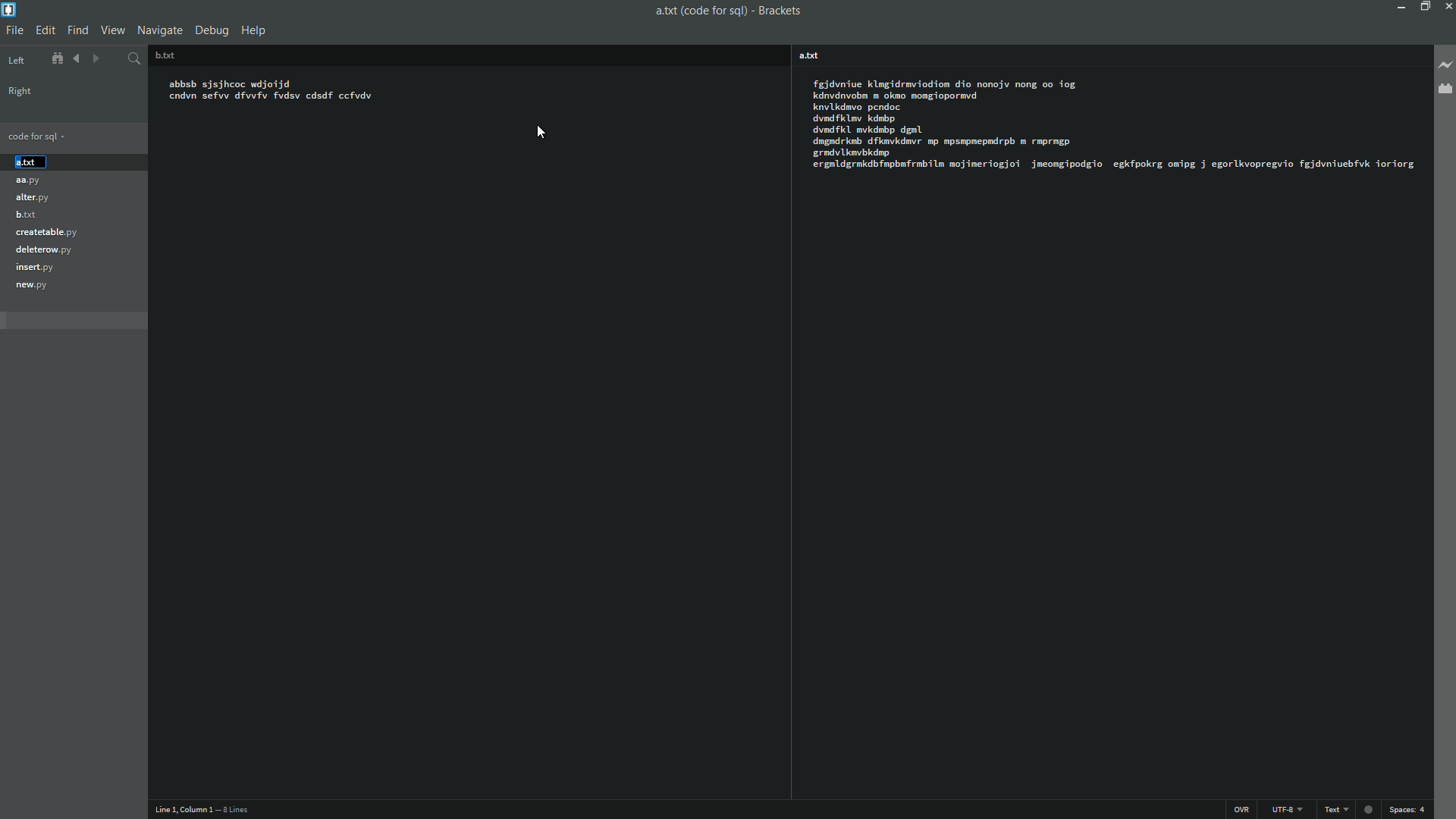 This screenshot has width=1456, height=819. Describe the element at coordinates (33, 285) in the screenshot. I see `new.py` at that location.